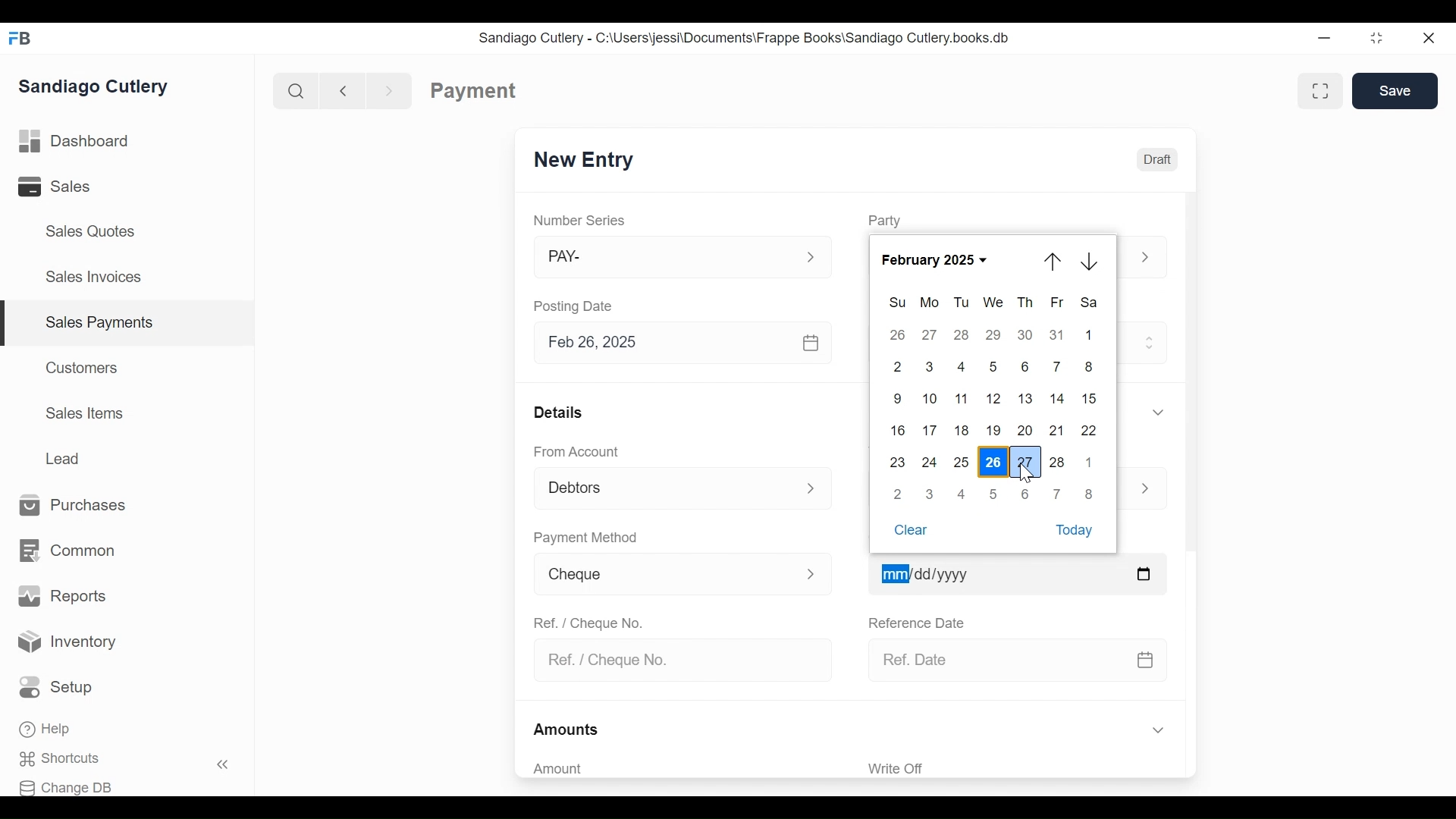 This screenshot has width=1456, height=819. Describe the element at coordinates (71, 786) in the screenshot. I see `Change DB` at that location.